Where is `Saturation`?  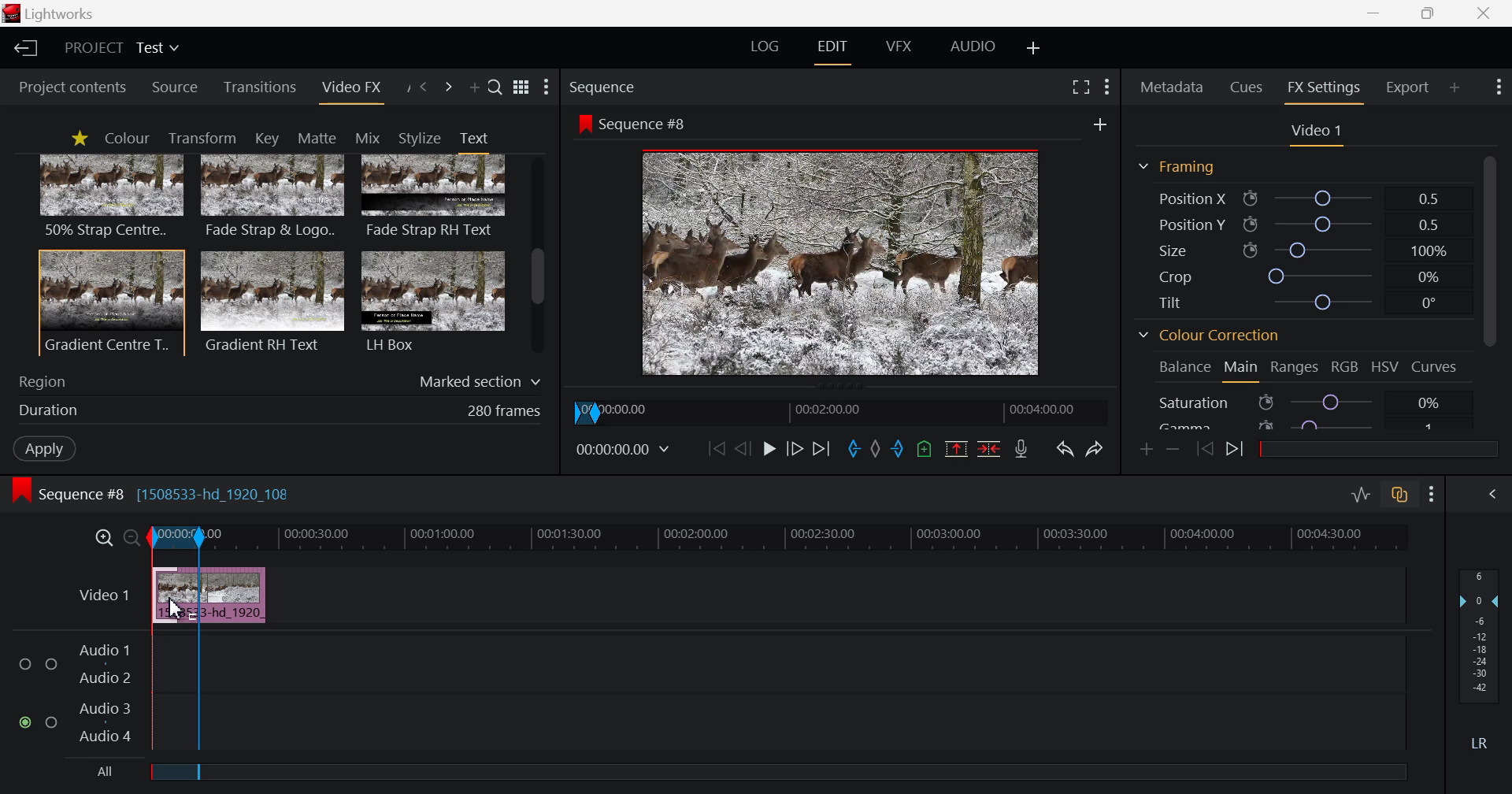
Saturation is located at coordinates (1298, 402).